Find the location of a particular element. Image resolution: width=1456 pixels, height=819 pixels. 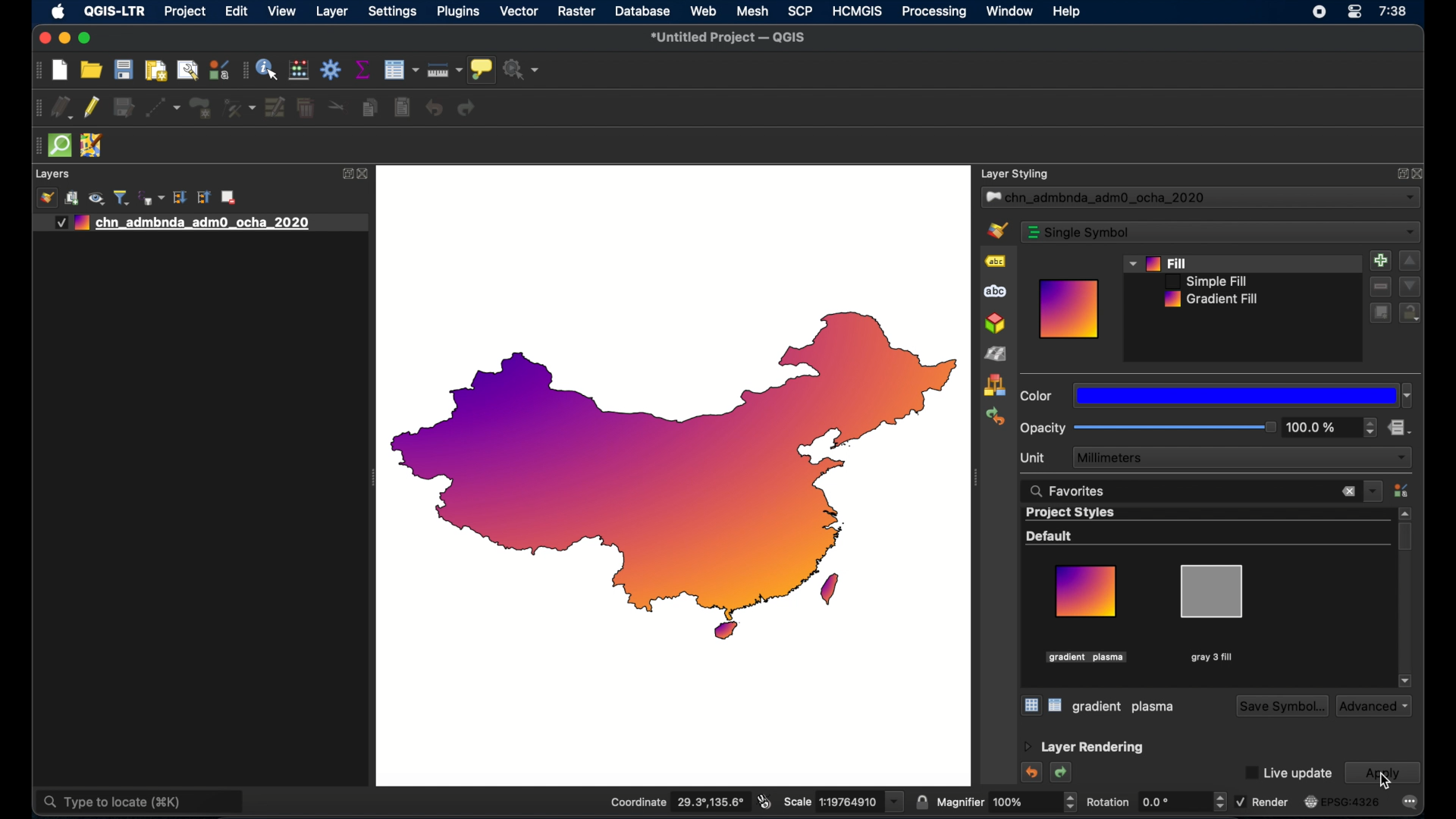

gradient fill is located at coordinates (1213, 300).